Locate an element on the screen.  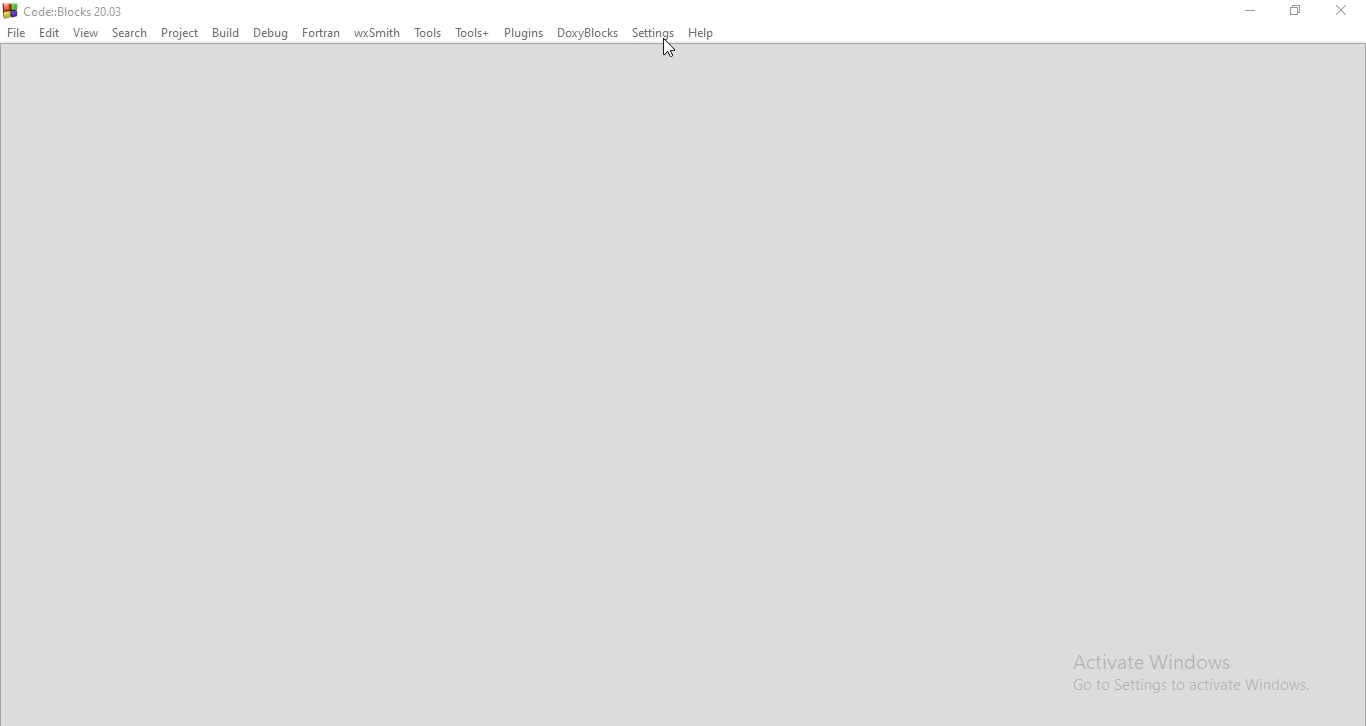
Build is located at coordinates (226, 31).